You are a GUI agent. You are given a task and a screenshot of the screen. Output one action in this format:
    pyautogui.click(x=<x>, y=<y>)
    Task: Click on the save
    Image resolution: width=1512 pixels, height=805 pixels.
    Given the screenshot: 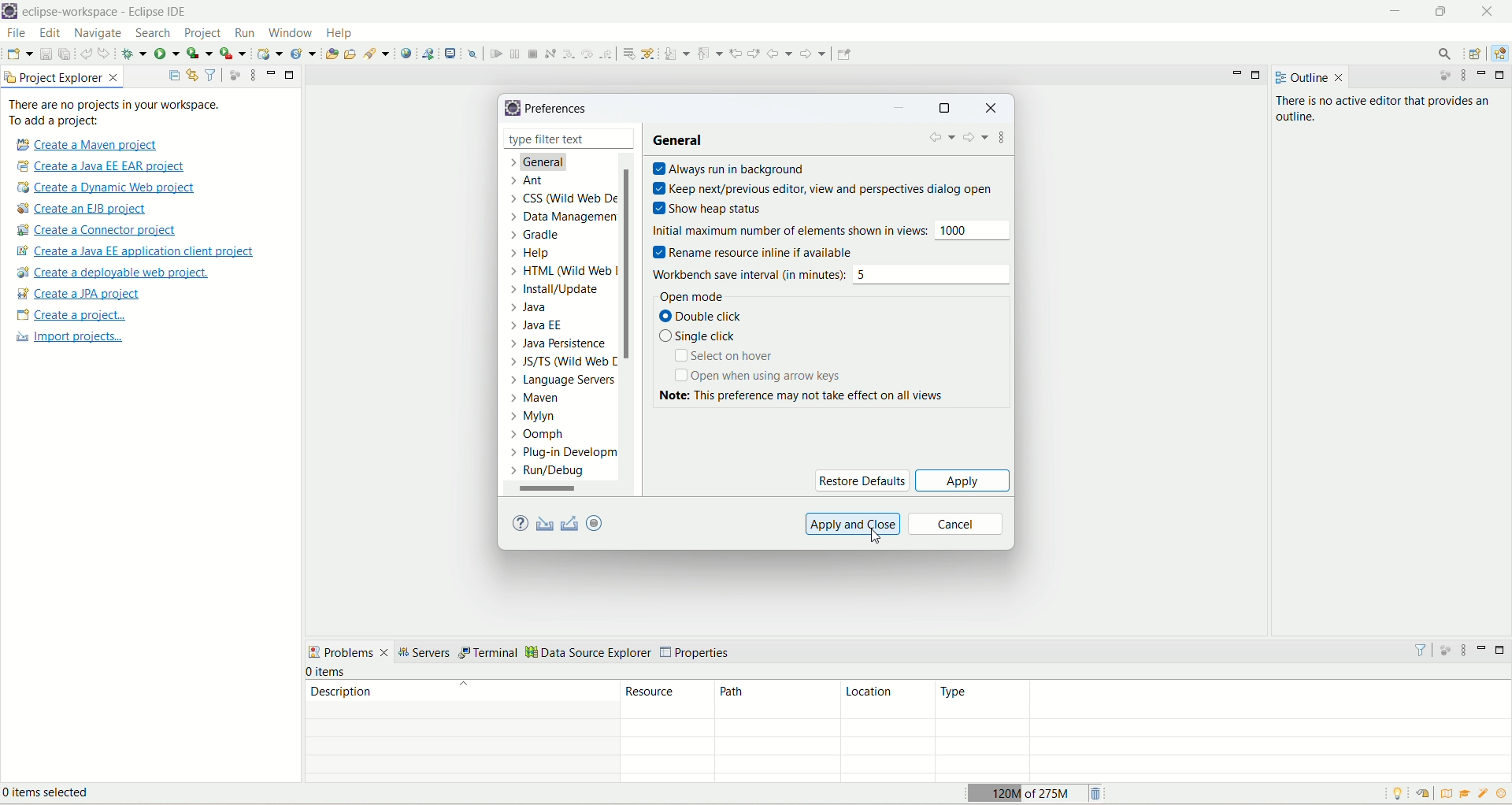 What is the action you would take?
    pyautogui.click(x=46, y=53)
    